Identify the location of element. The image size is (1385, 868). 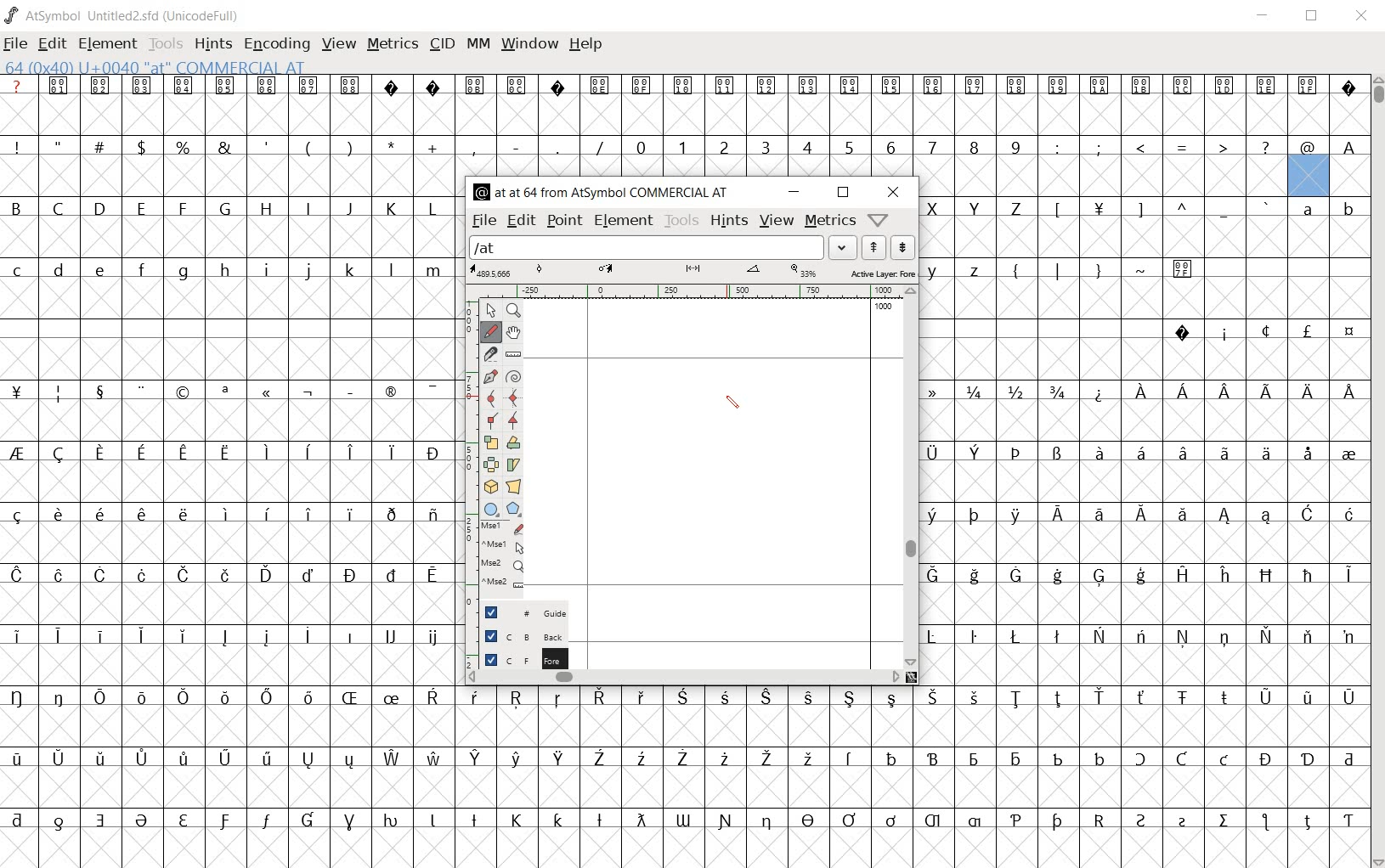
(624, 221).